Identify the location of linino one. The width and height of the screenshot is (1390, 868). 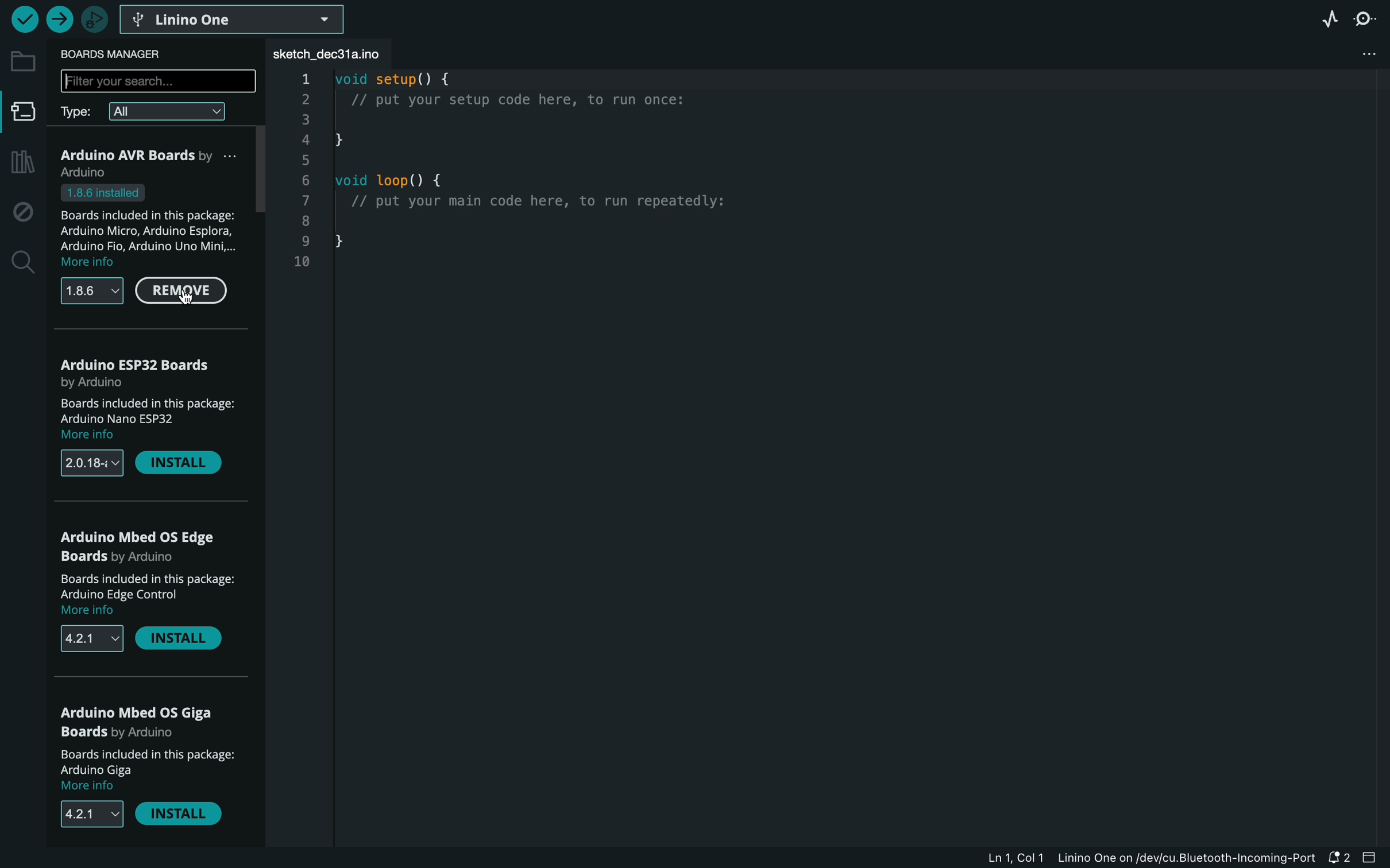
(239, 18).